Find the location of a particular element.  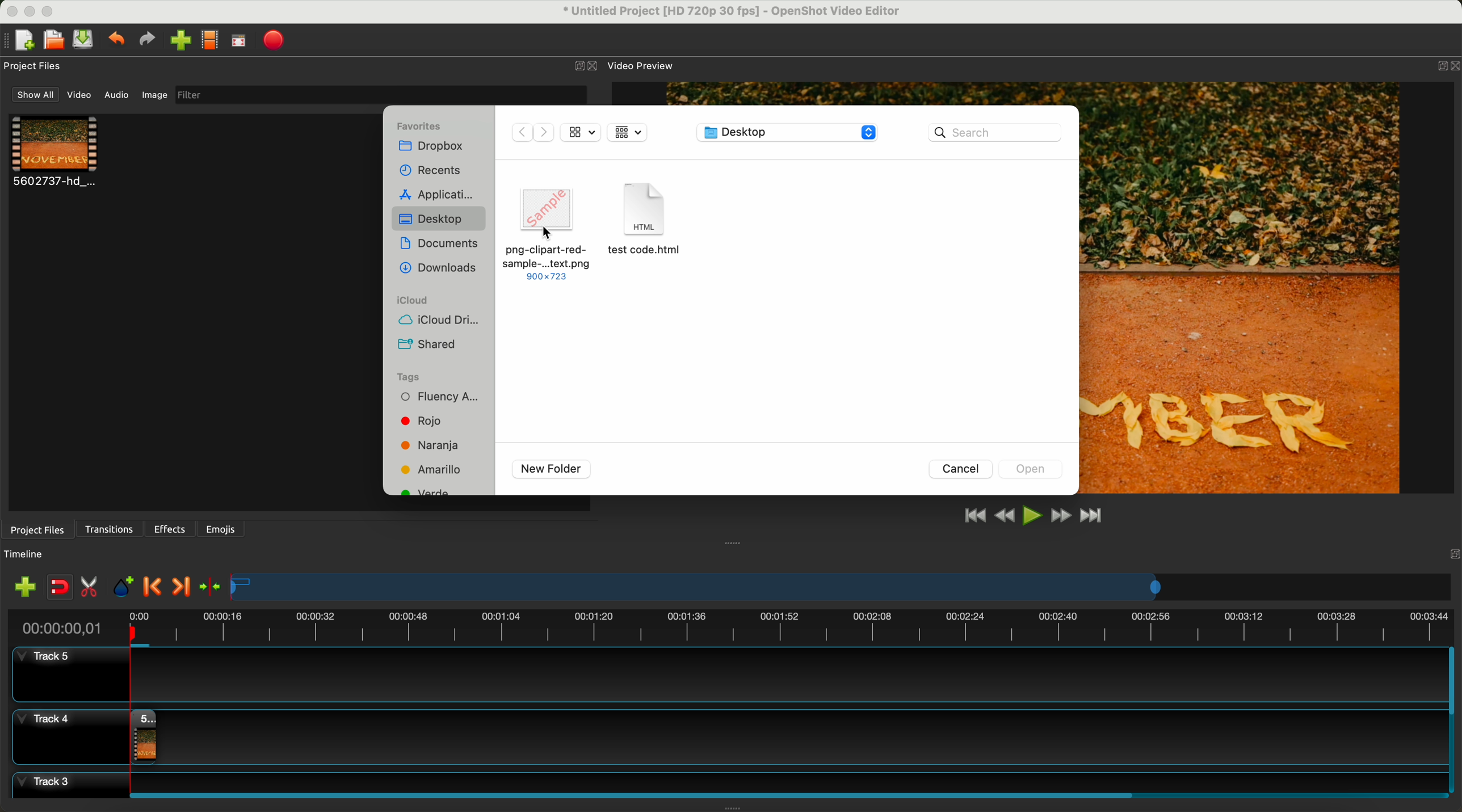

add mark is located at coordinates (126, 589).